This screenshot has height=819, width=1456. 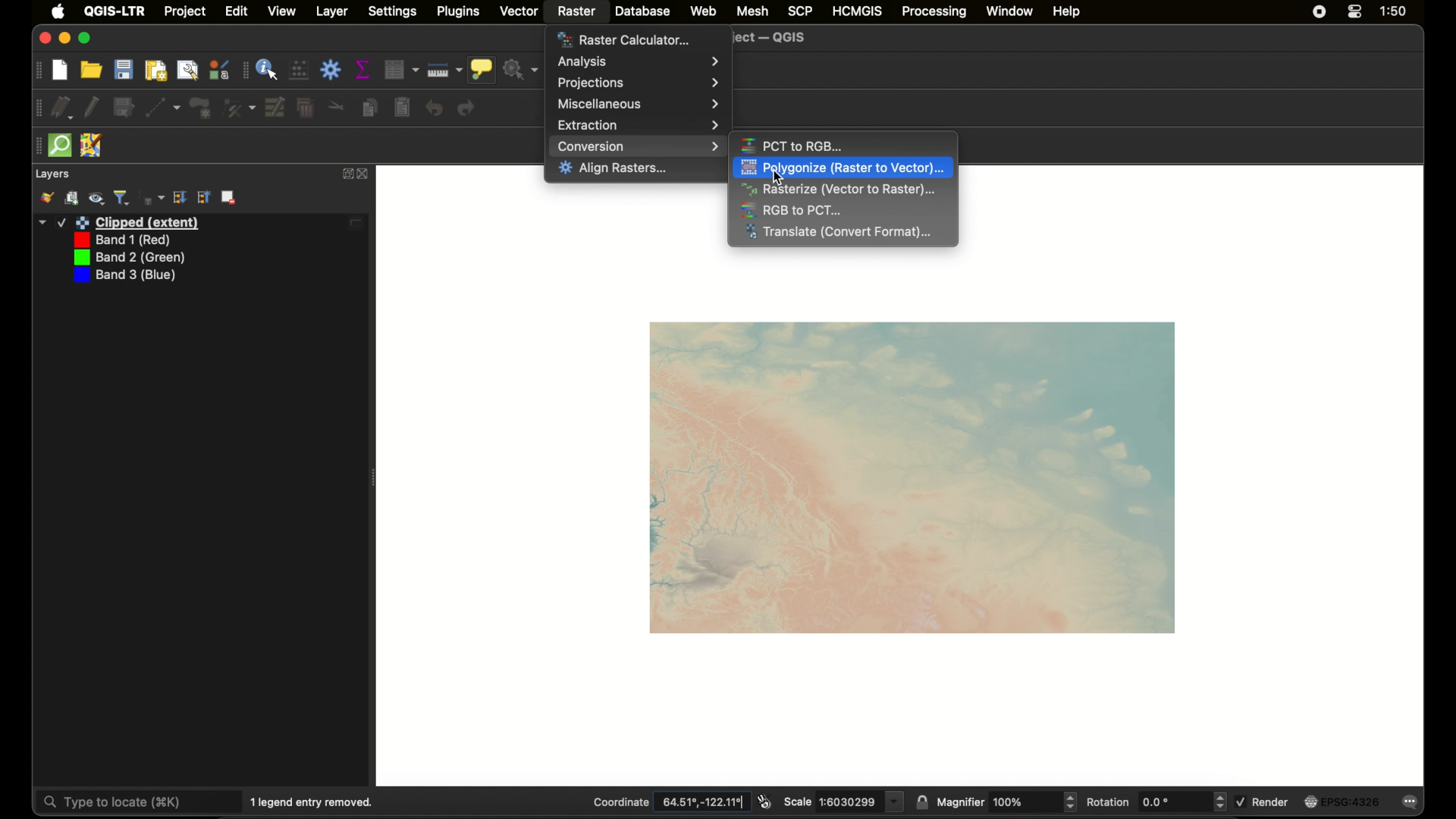 What do you see at coordinates (127, 258) in the screenshot?
I see `band 2` at bounding box center [127, 258].